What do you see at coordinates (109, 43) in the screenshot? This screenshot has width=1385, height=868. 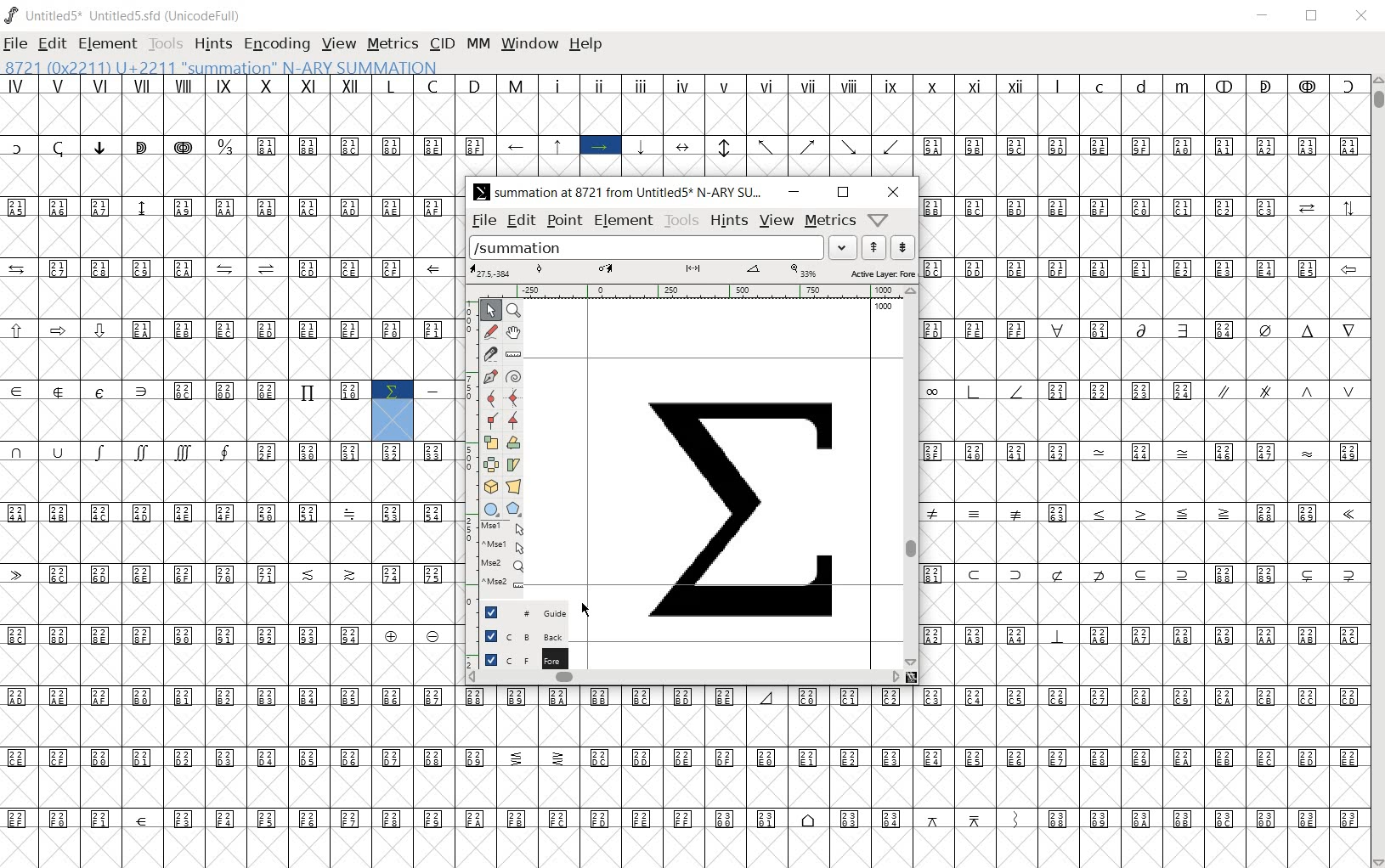 I see `ELEMENT` at bounding box center [109, 43].